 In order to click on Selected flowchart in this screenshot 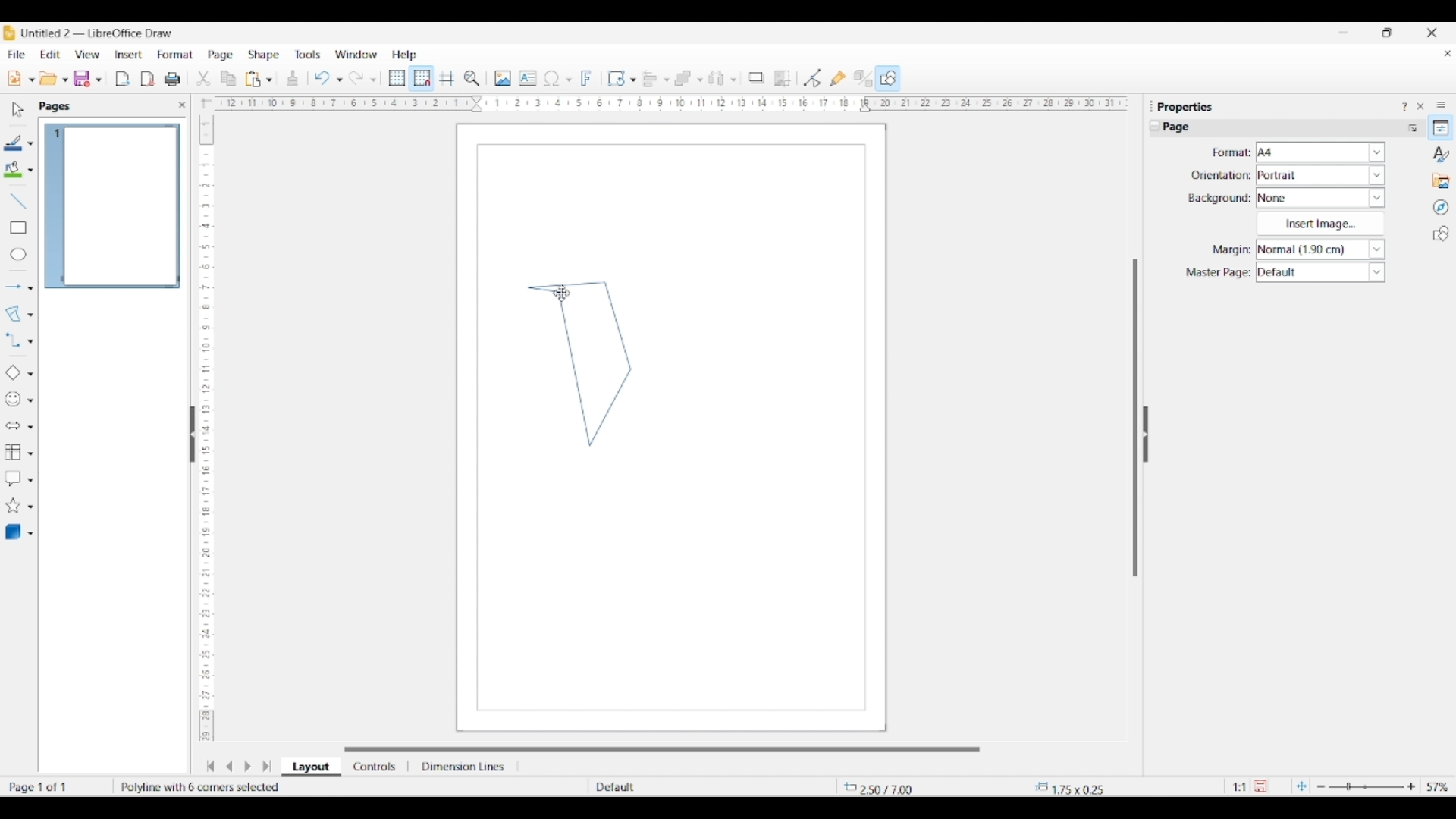, I will do `click(13, 453)`.